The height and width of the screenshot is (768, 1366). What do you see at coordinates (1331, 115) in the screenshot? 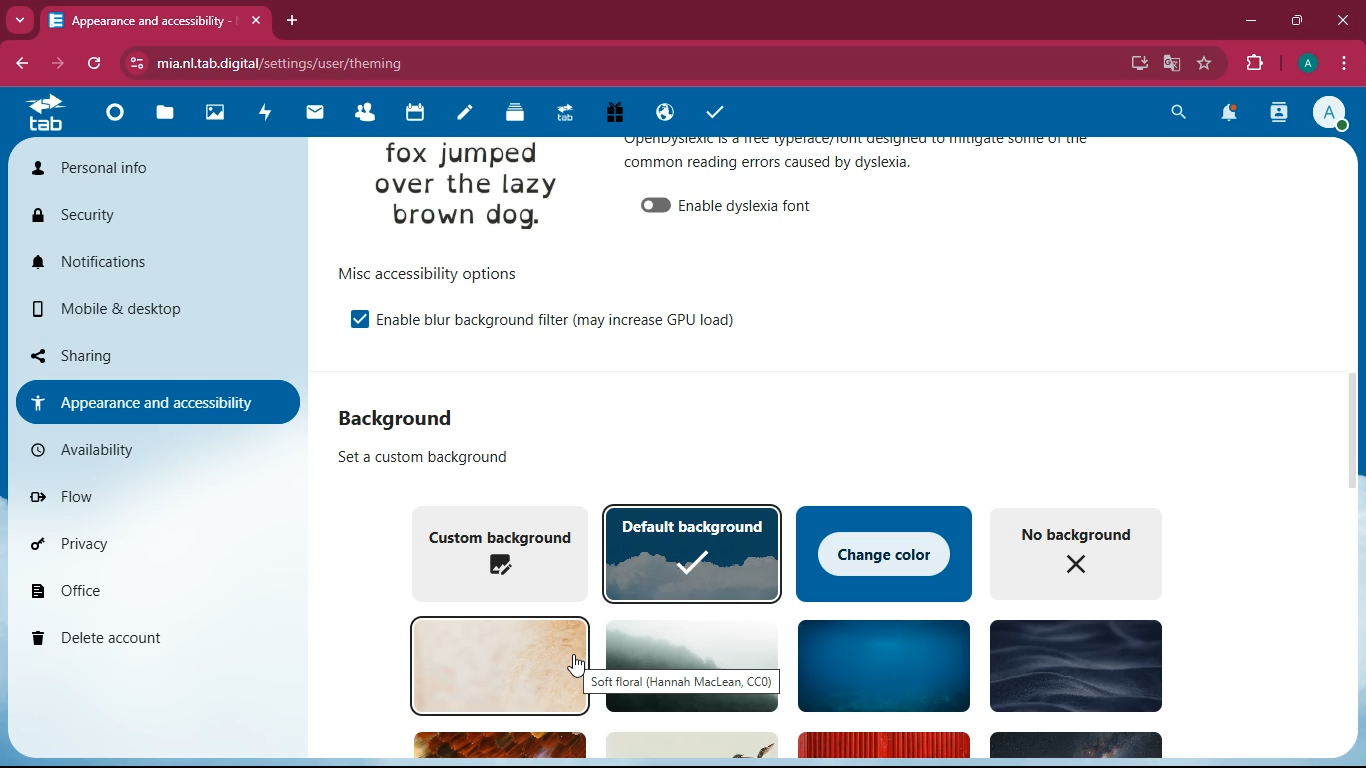
I see `profile` at bounding box center [1331, 115].